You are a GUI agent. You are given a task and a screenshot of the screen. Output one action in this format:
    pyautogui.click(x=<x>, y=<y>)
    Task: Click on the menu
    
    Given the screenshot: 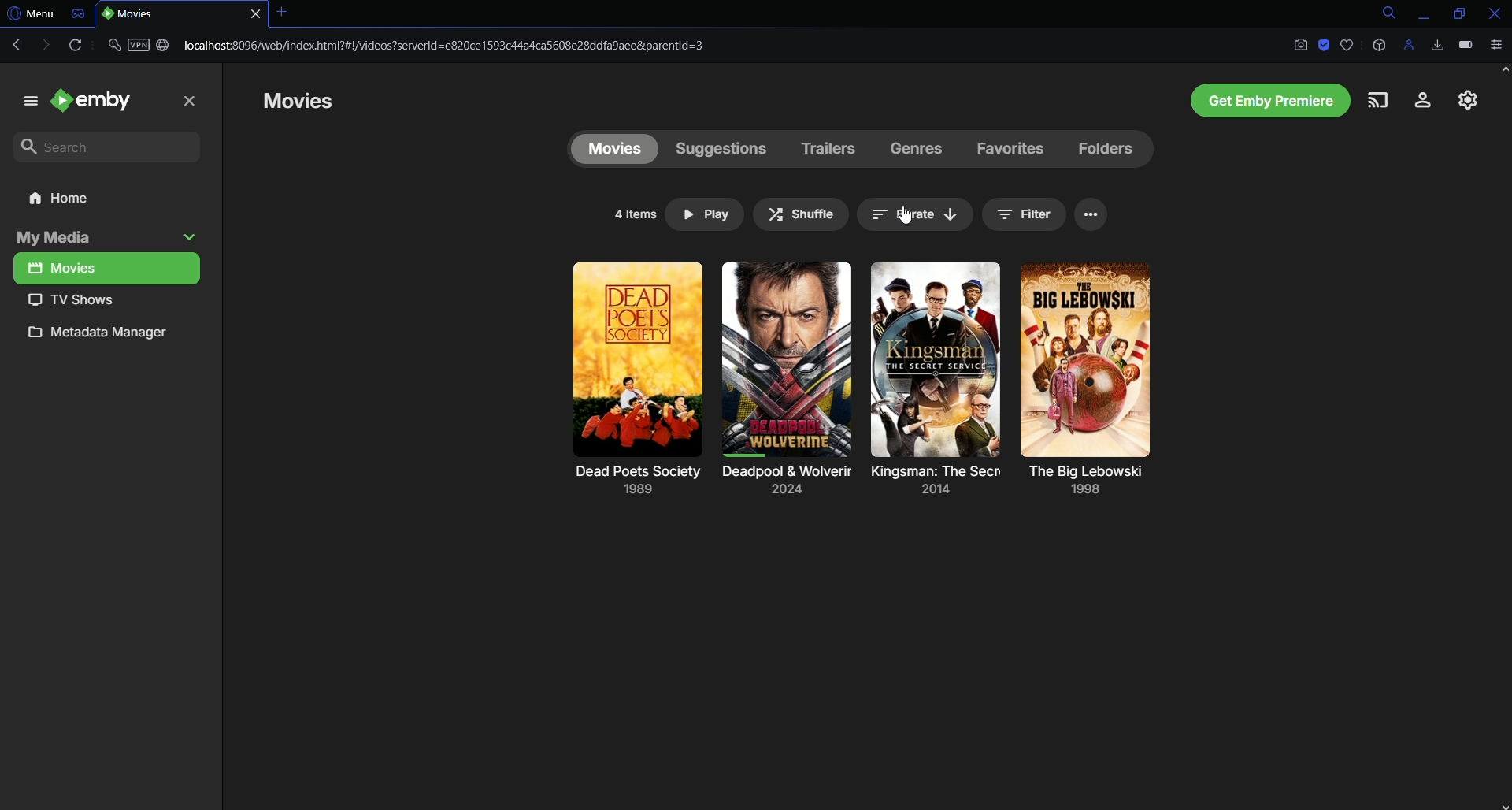 What is the action you would take?
    pyautogui.click(x=24, y=100)
    